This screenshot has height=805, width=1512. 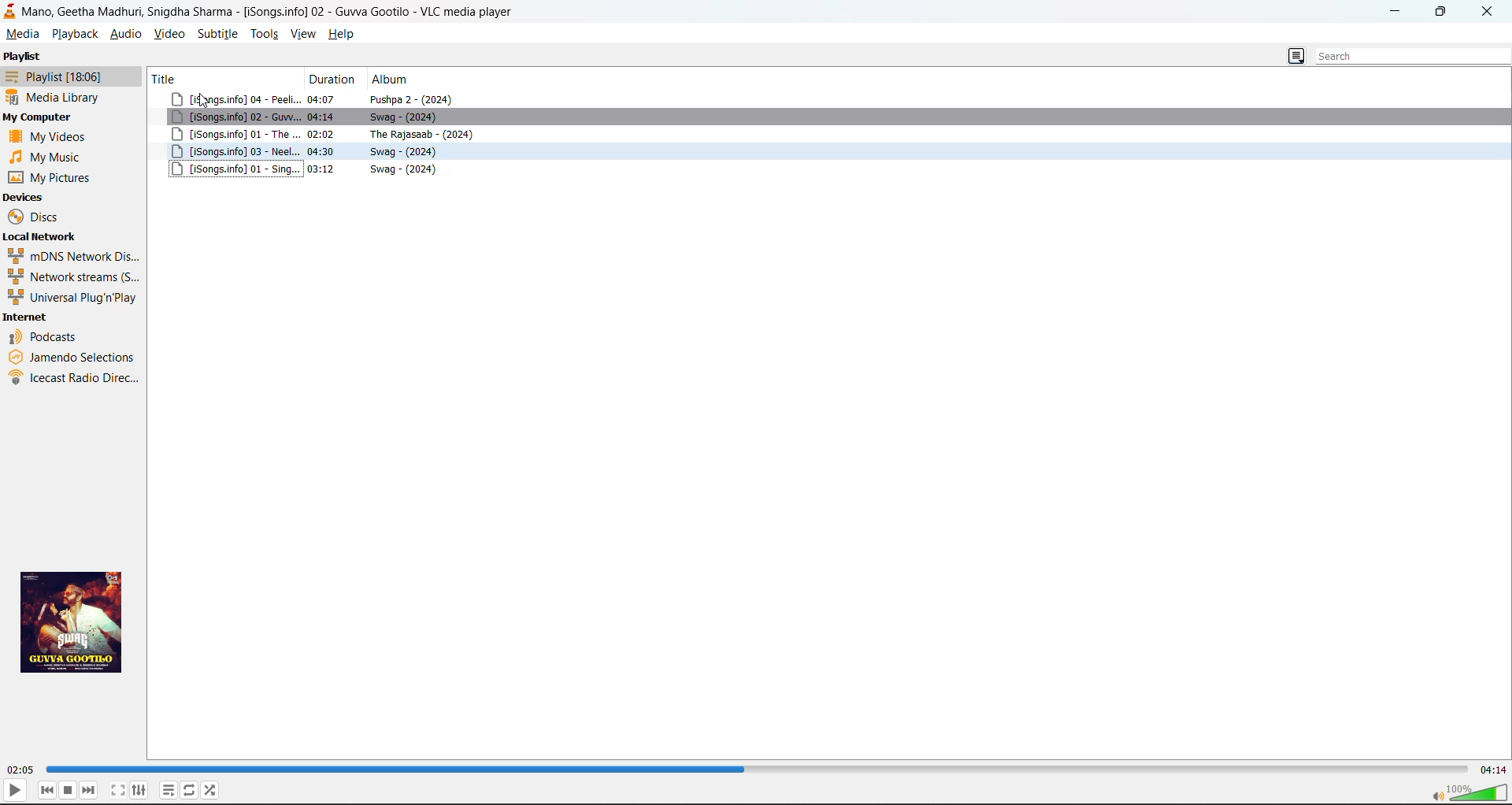 What do you see at coordinates (758, 768) in the screenshot?
I see `track slider` at bounding box center [758, 768].